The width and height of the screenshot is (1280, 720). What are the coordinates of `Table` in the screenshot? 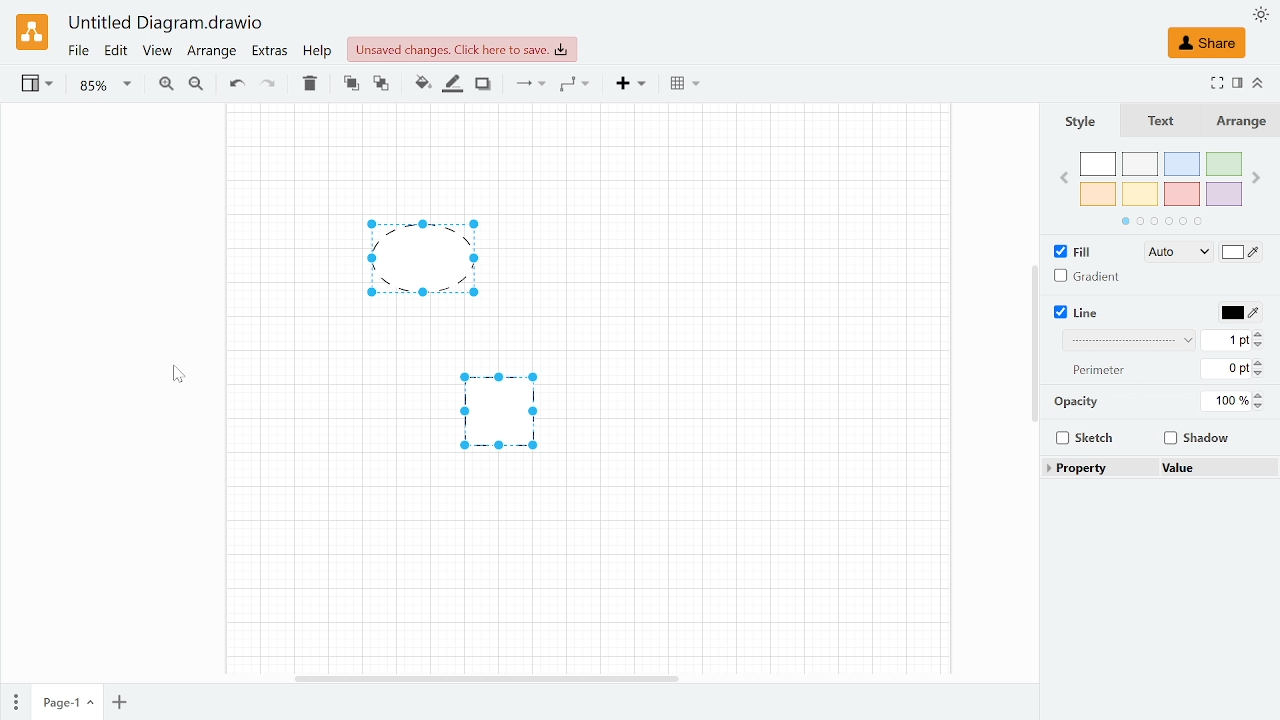 It's located at (685, 86).